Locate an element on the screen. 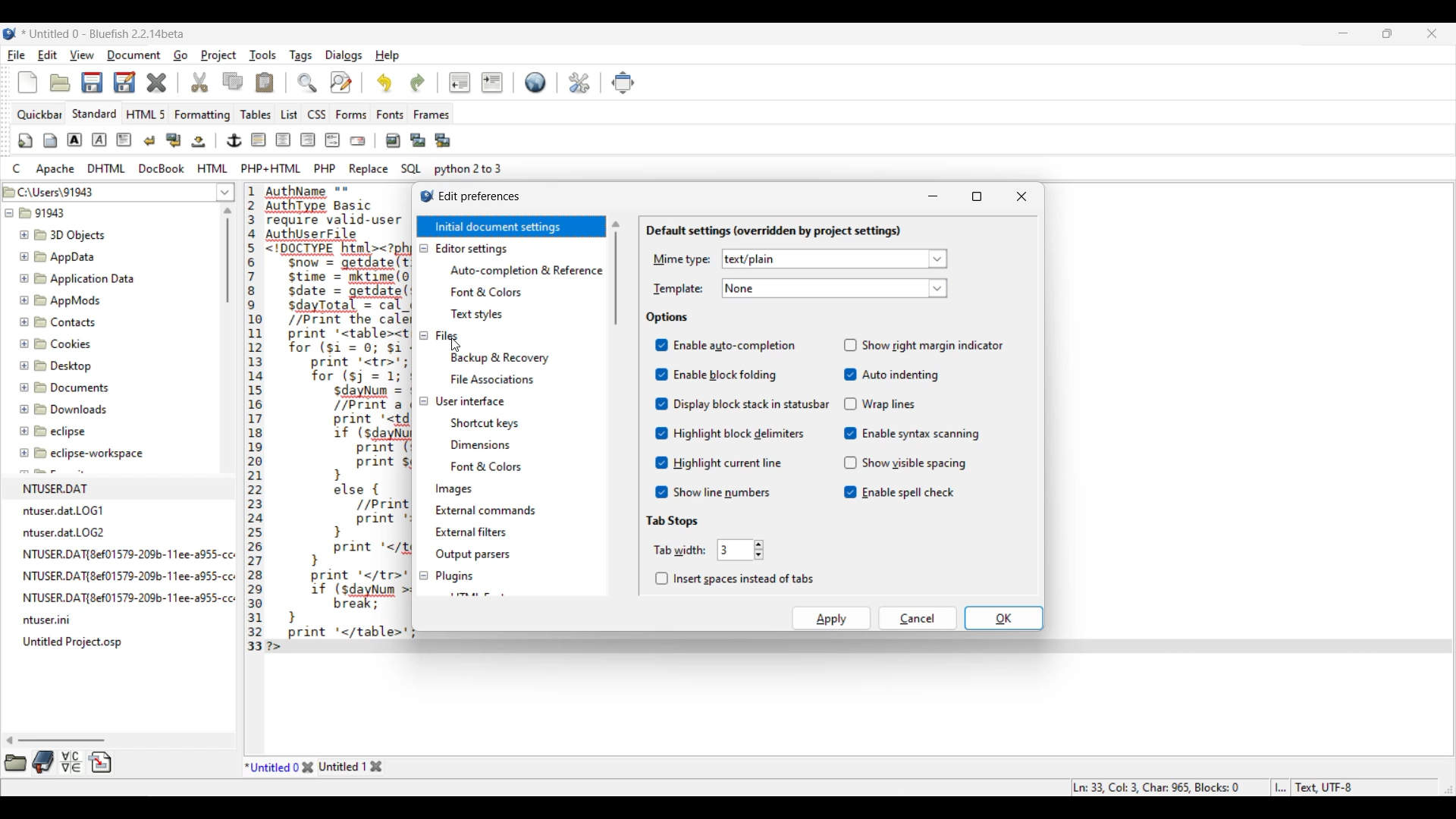  Formatting menu is located at coordinates (202, 115).